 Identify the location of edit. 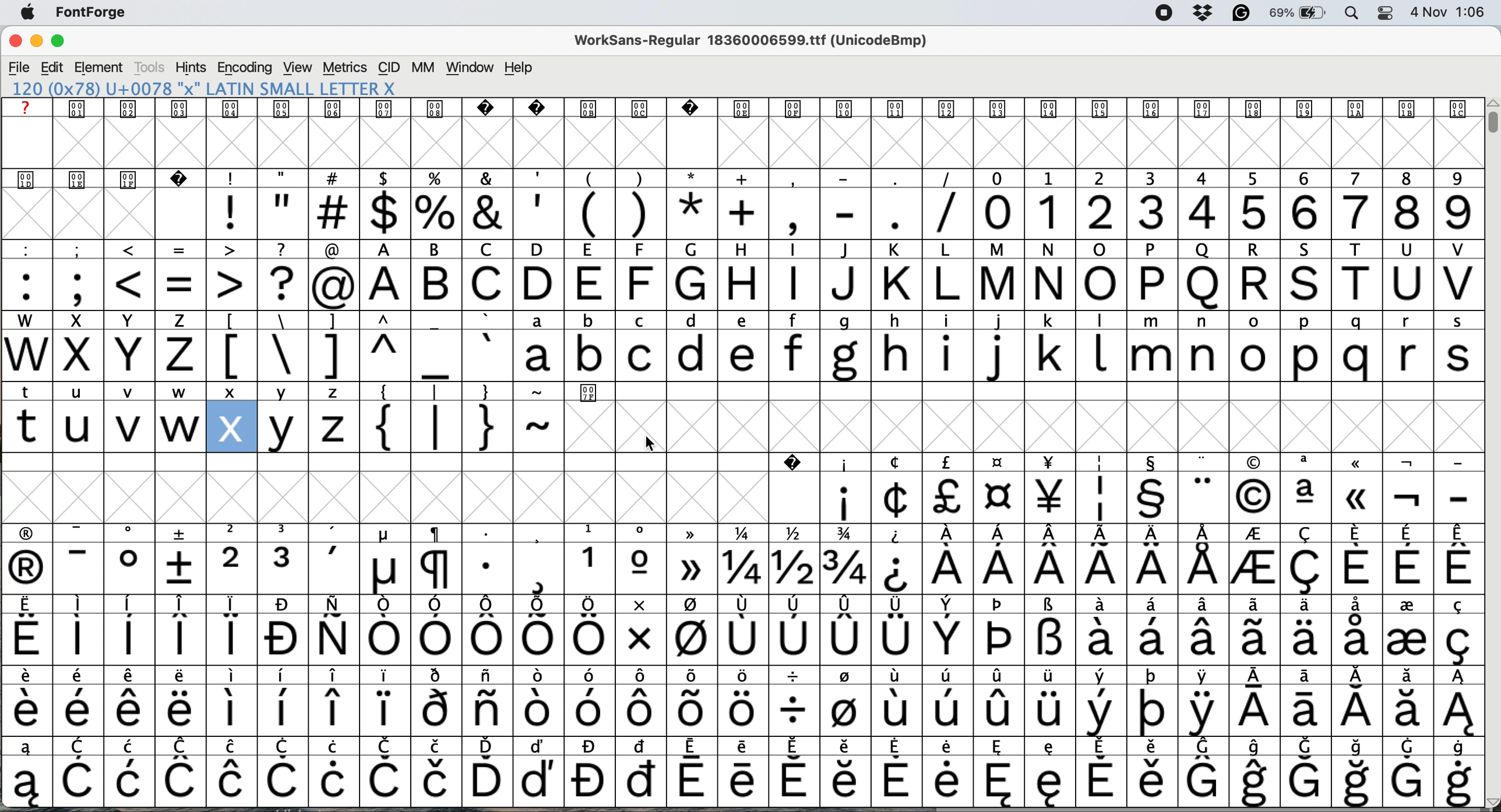
(54, 67).